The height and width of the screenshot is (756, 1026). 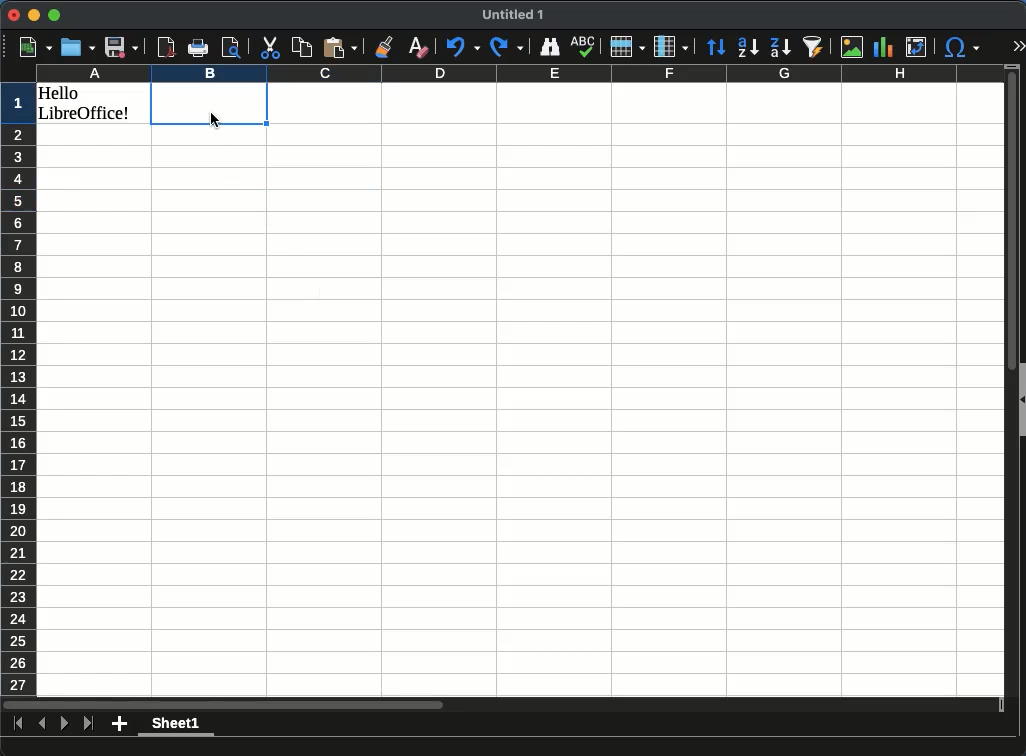 I want to click on redo, so click(x=507, y=45).